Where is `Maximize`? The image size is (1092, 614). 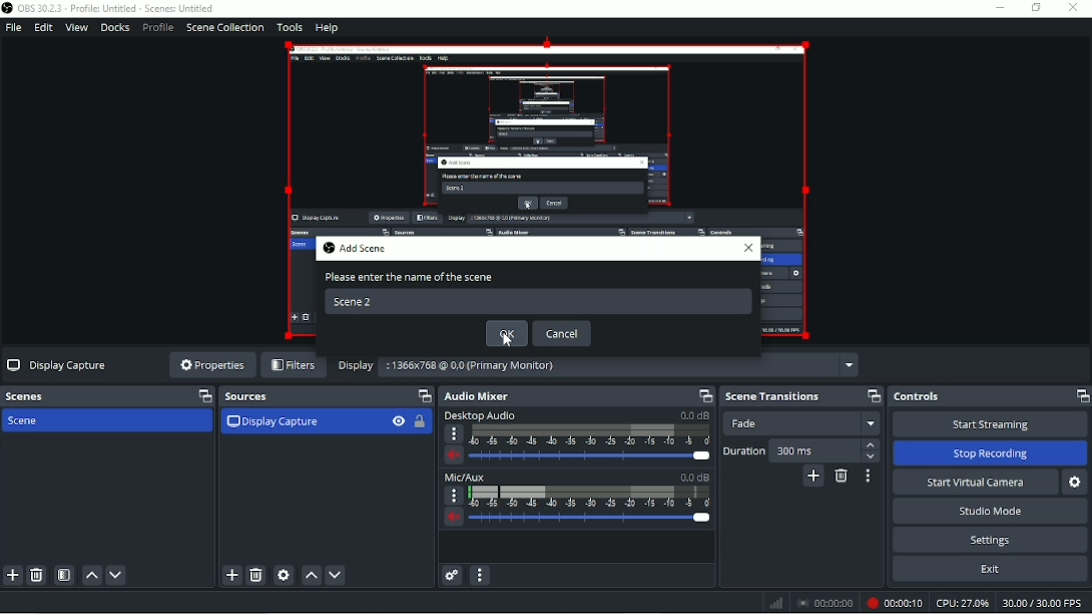
Maximize is located at coordinates (422, 396).